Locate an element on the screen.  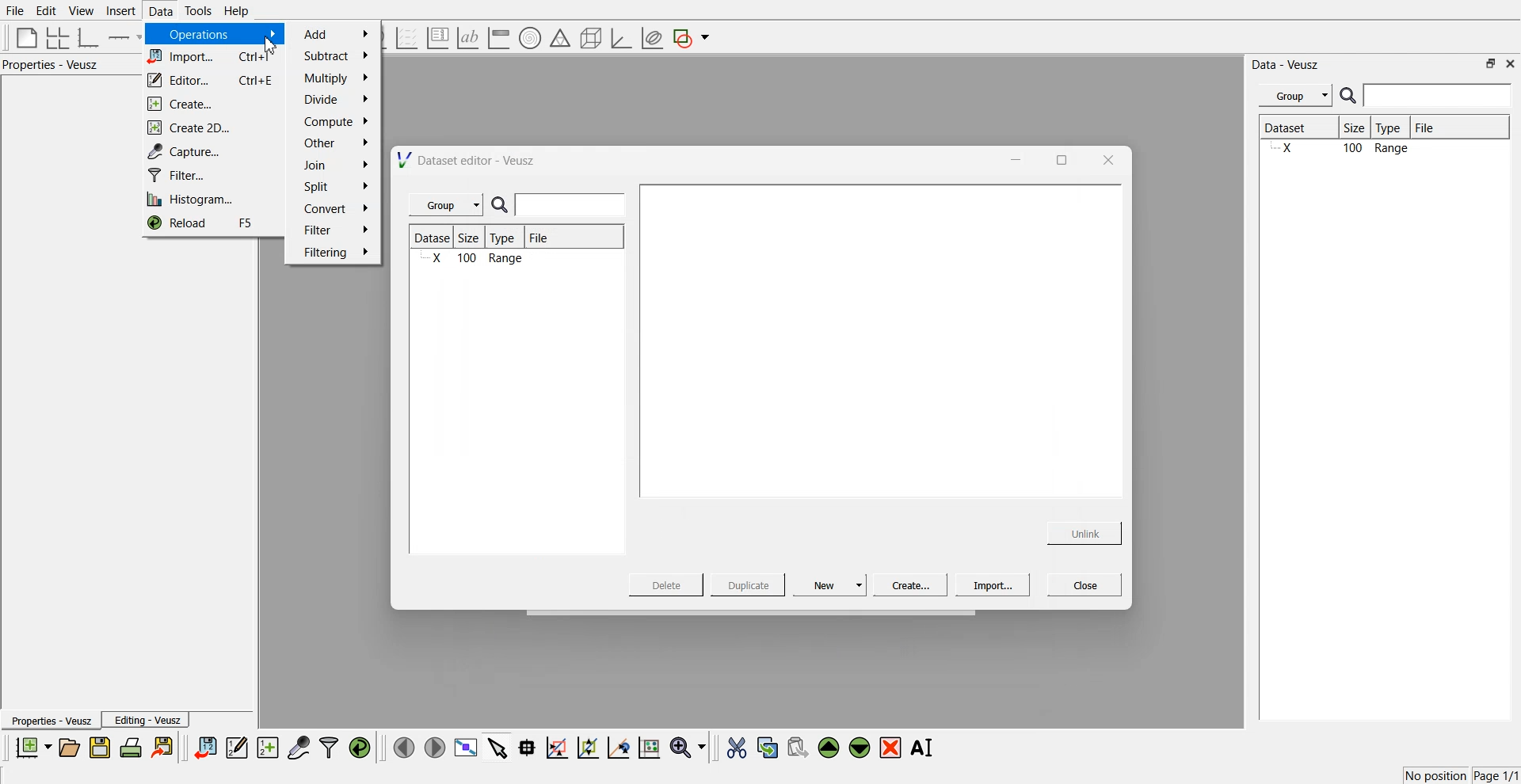
New is located at coordinates (832, 584).